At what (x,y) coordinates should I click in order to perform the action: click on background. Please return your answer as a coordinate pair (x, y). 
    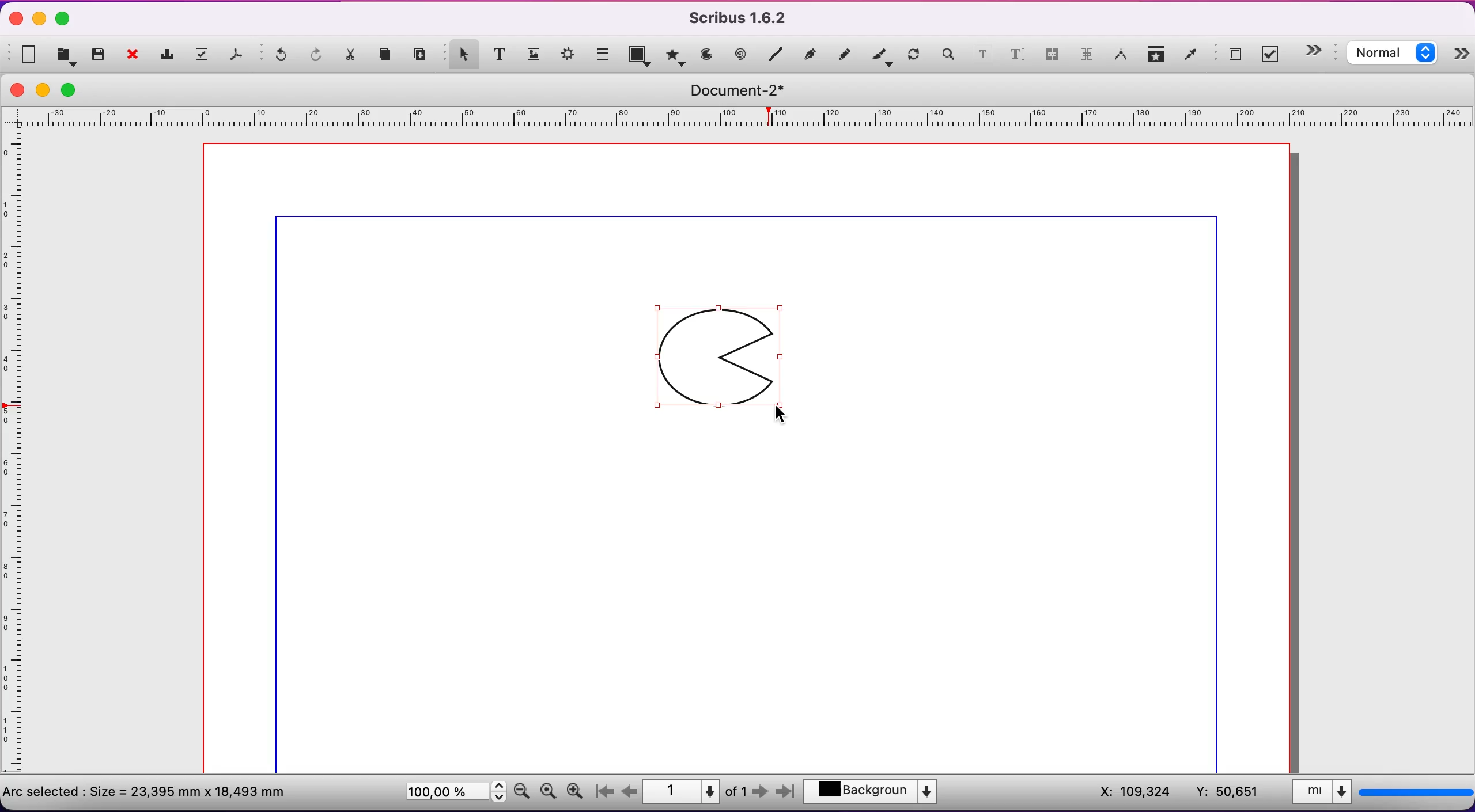
    Looking at the image, I should click on (878, 793).